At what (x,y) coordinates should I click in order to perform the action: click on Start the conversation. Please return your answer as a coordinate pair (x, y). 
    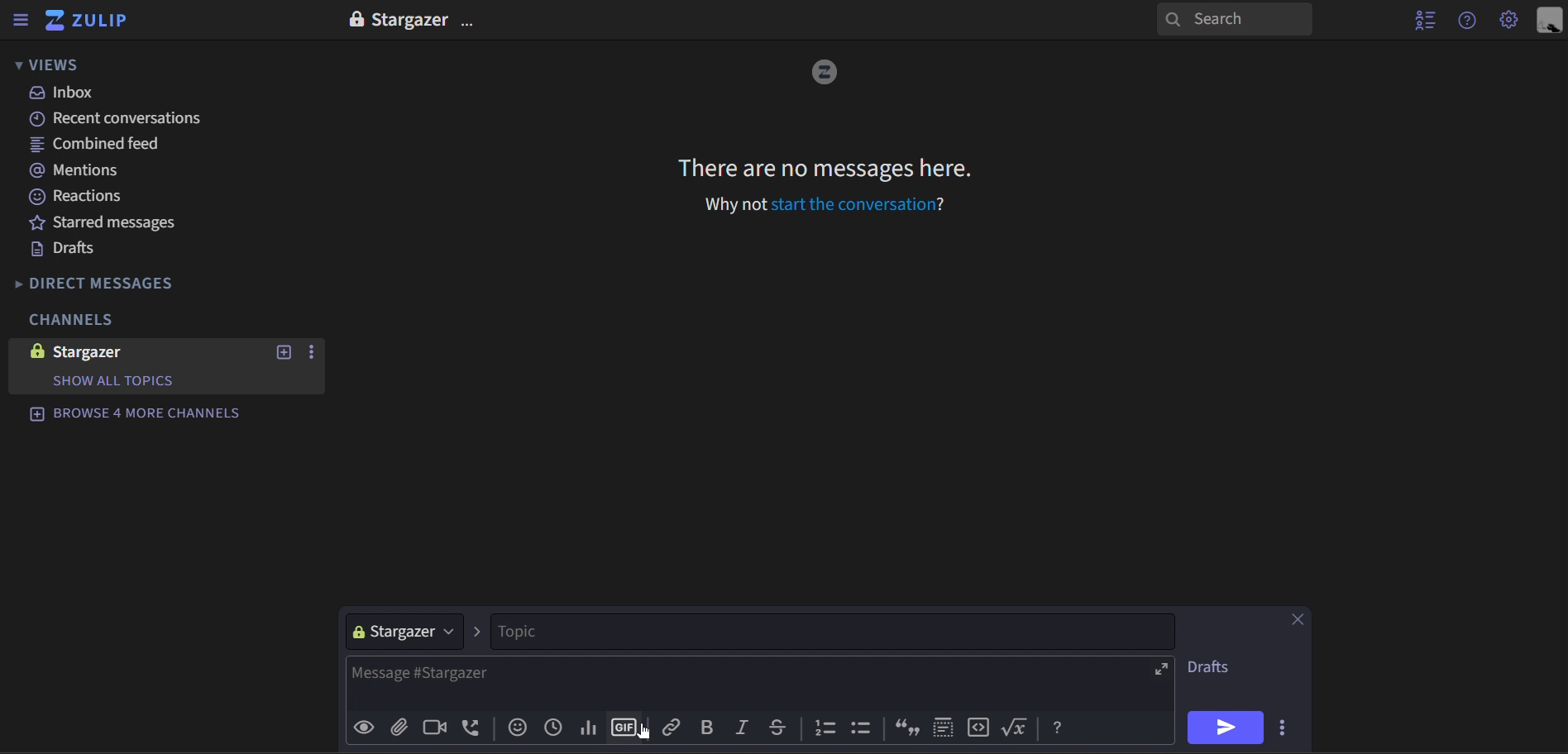
    Looking at the image, I should click on (860, 204).